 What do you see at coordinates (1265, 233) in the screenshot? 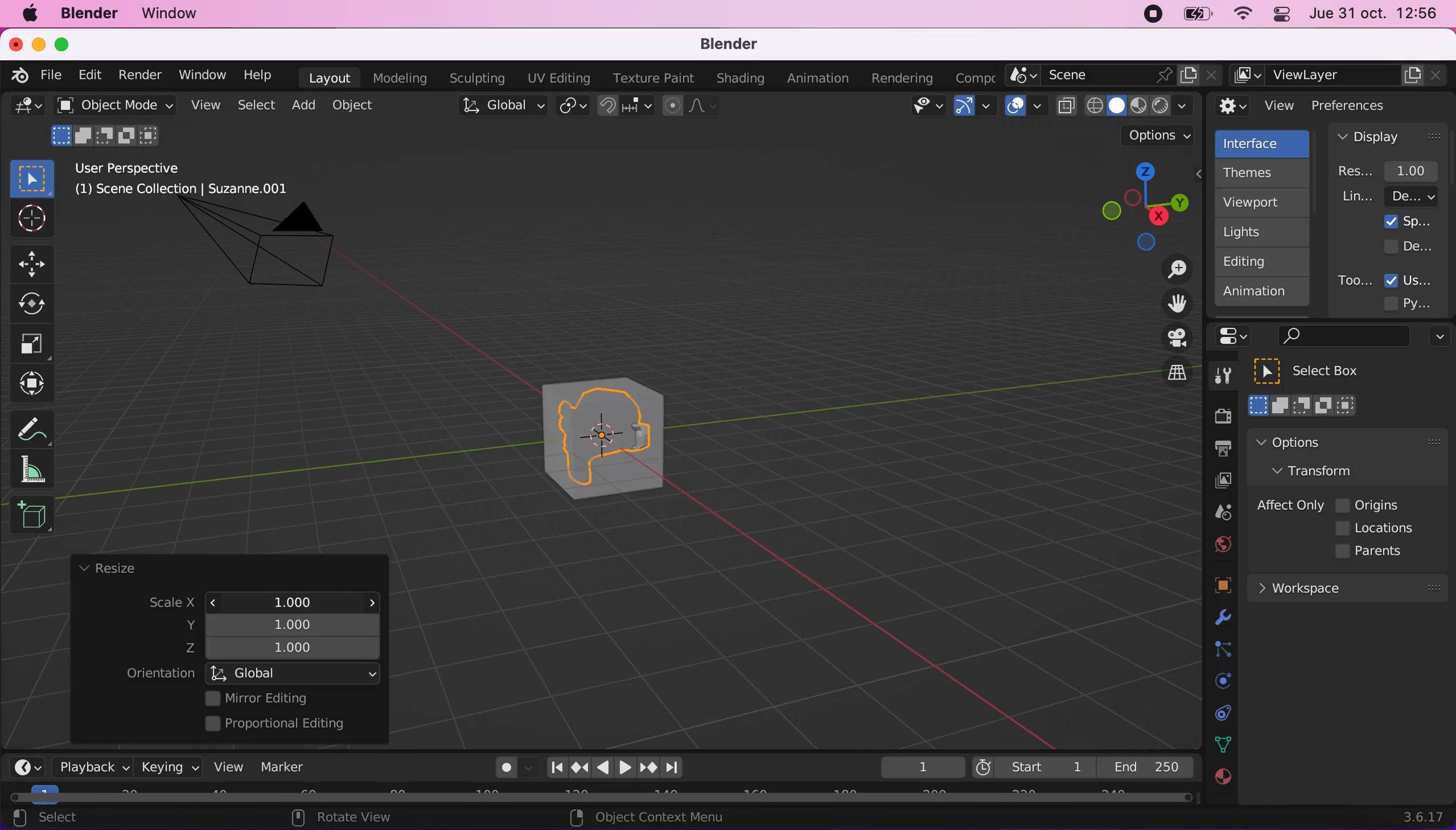
I see `lights` at bounding box center [1265, 233].